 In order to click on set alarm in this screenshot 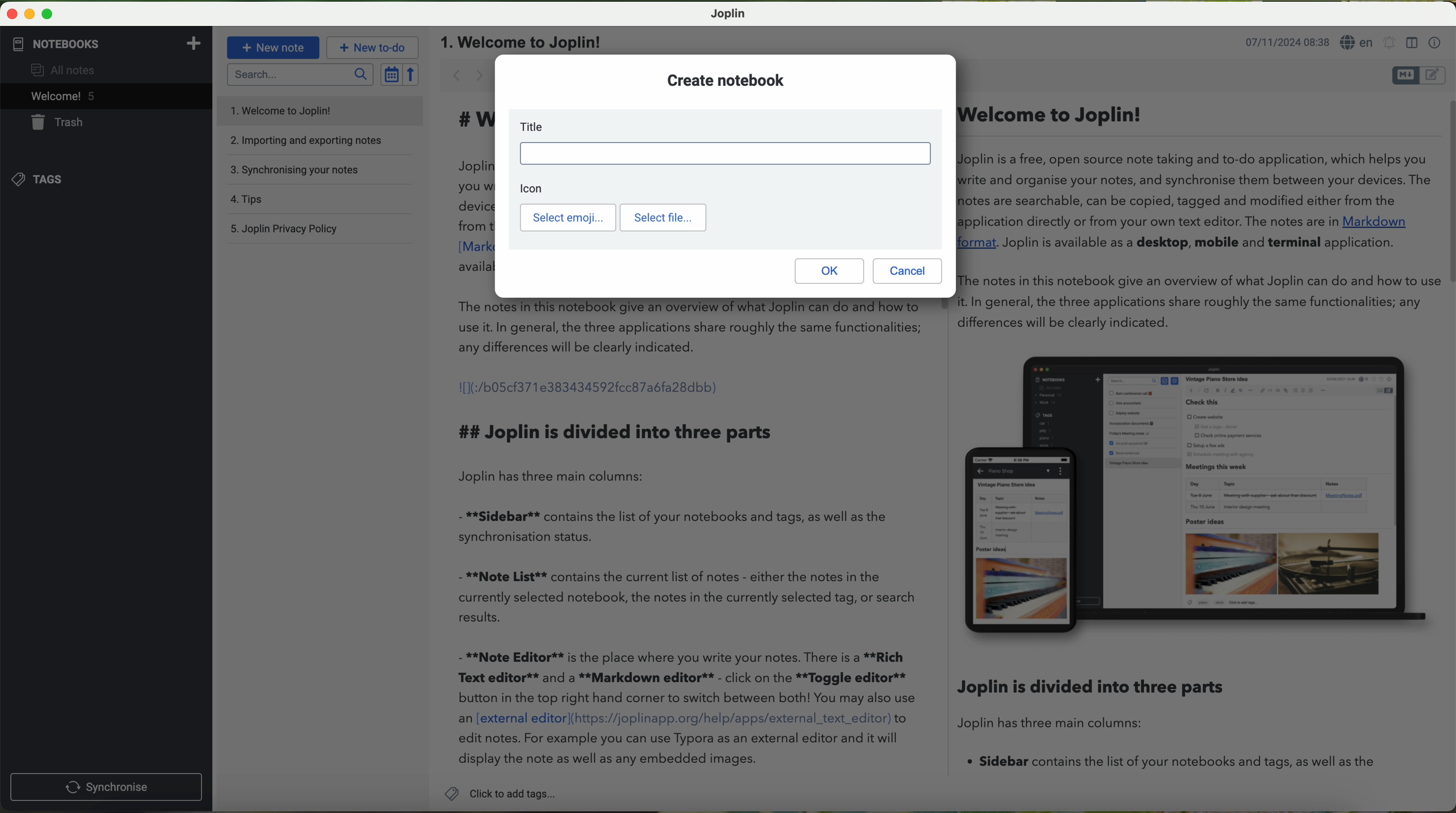, I will do `click(1389, 45)`.